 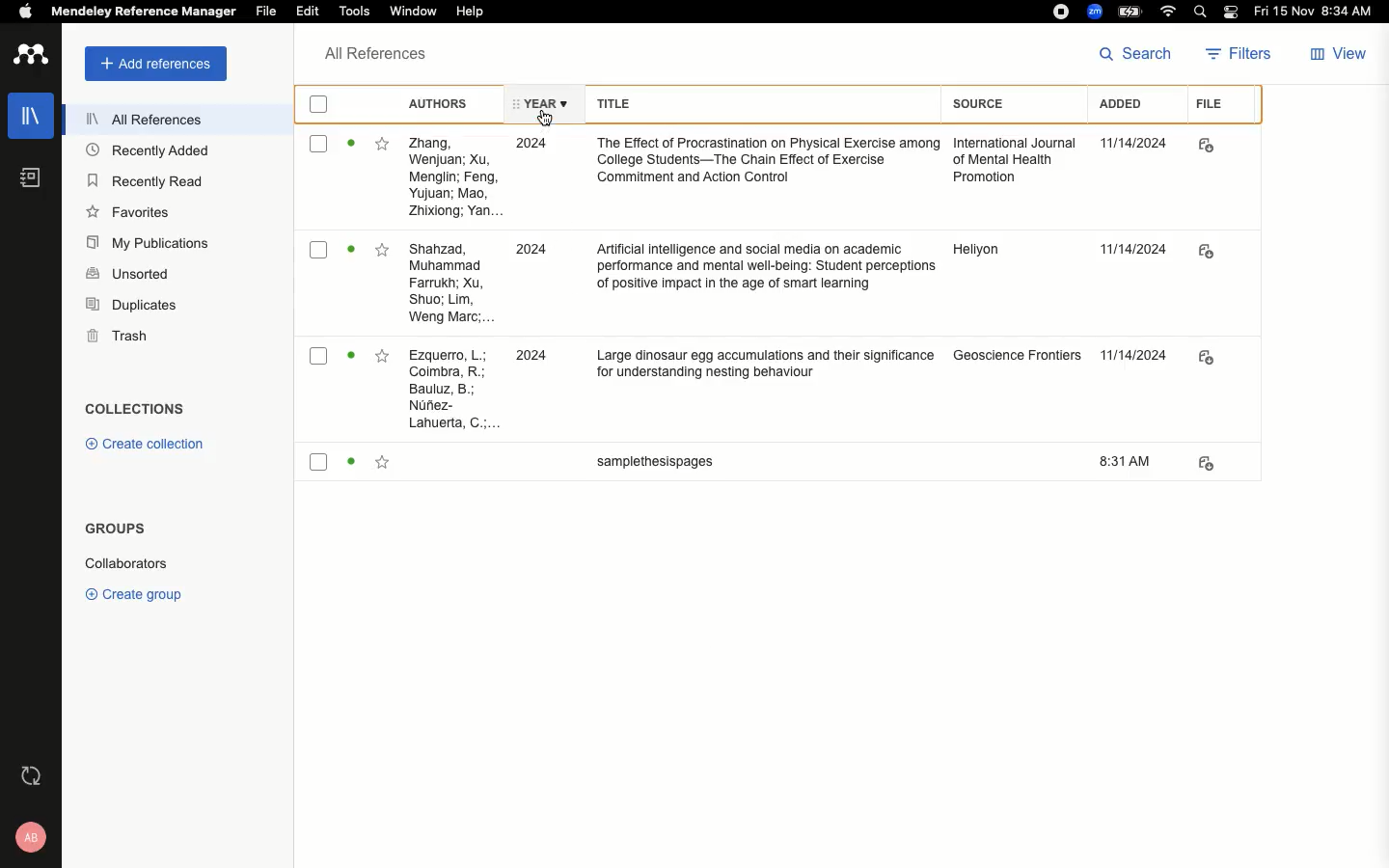 What do you see at coordinates (131, 304) in the screenshot?
I see `Duplicates` at bounding box center [131, 304].